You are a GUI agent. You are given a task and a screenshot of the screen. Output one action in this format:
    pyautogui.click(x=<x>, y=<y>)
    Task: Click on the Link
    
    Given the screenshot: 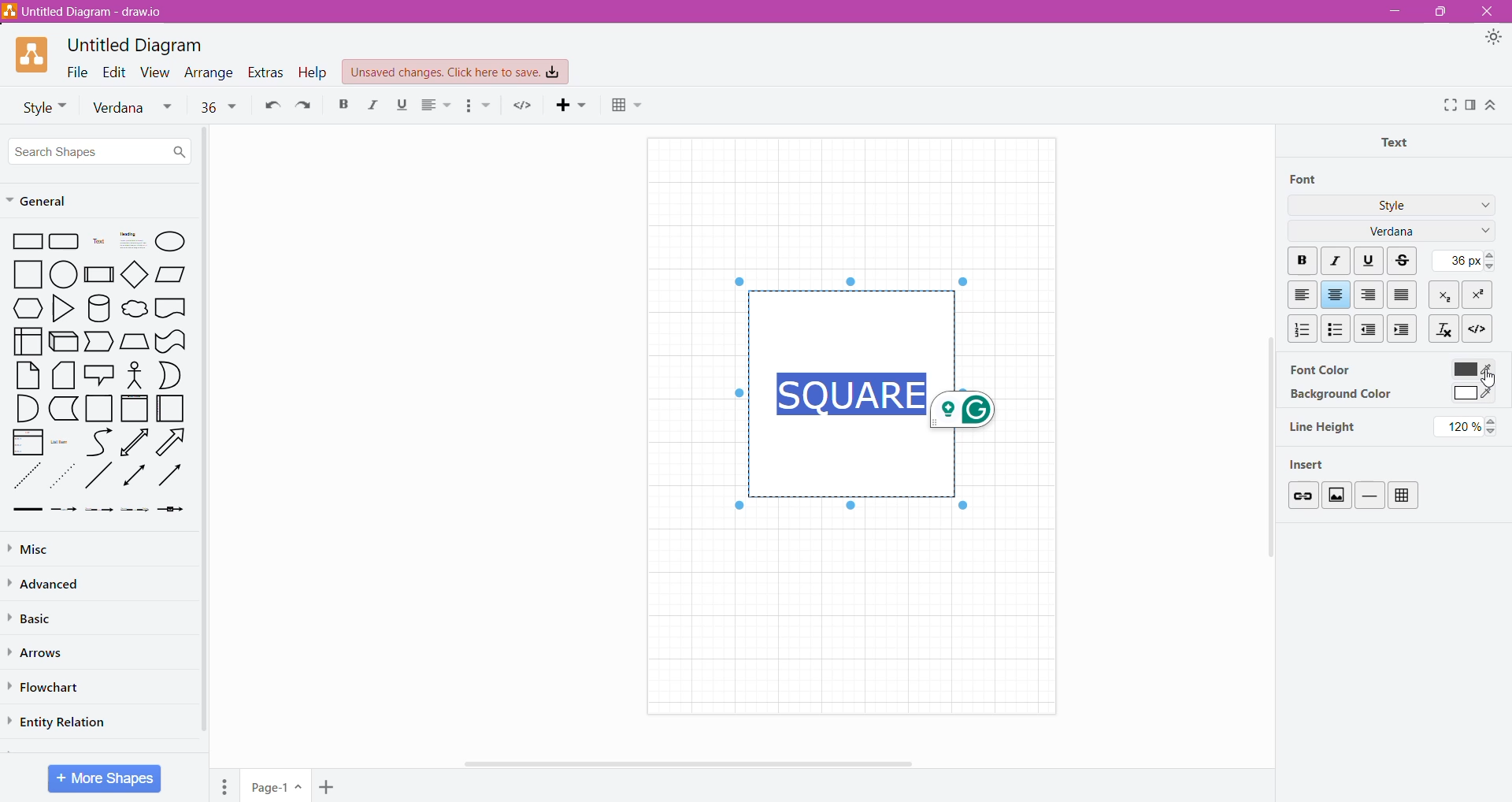 What is the action you would take?
    pyautogui.click(x=1302, y=495)
    